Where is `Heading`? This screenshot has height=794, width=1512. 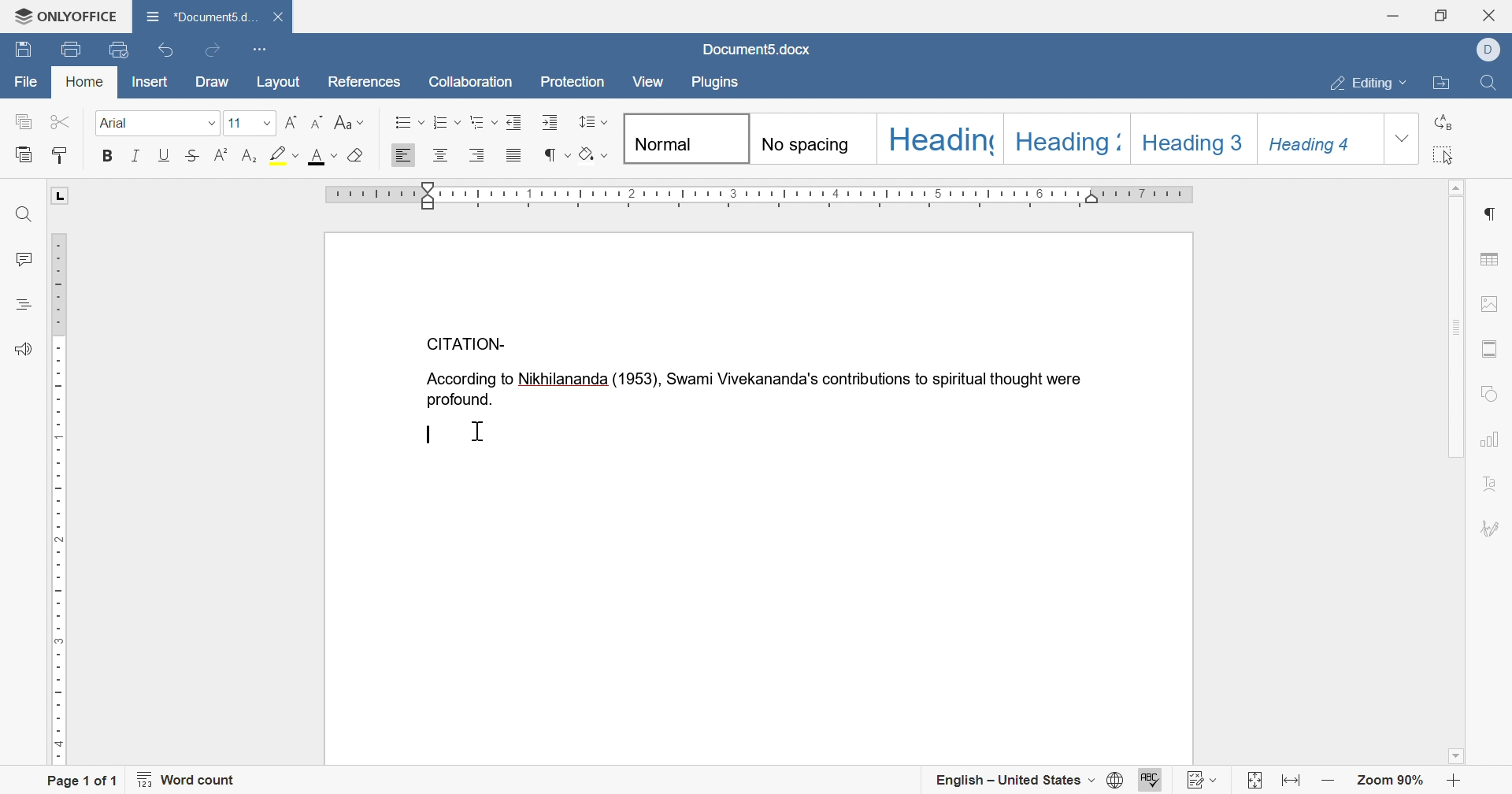
Heading is located at coordinates (944, 139).